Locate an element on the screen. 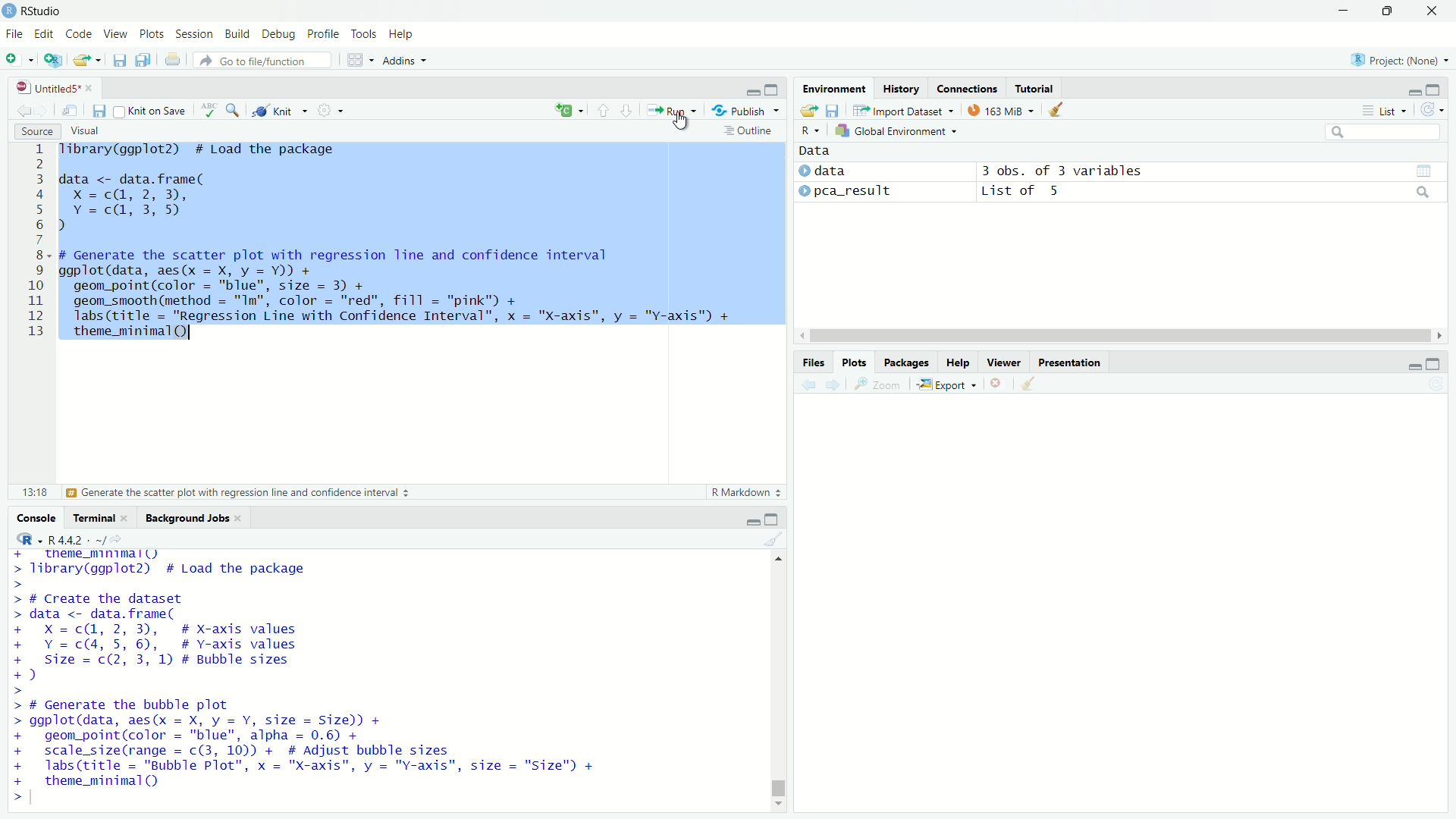 The width and height of the screenshot is (1456, 819). Publish is located at coordinates (747, 109).